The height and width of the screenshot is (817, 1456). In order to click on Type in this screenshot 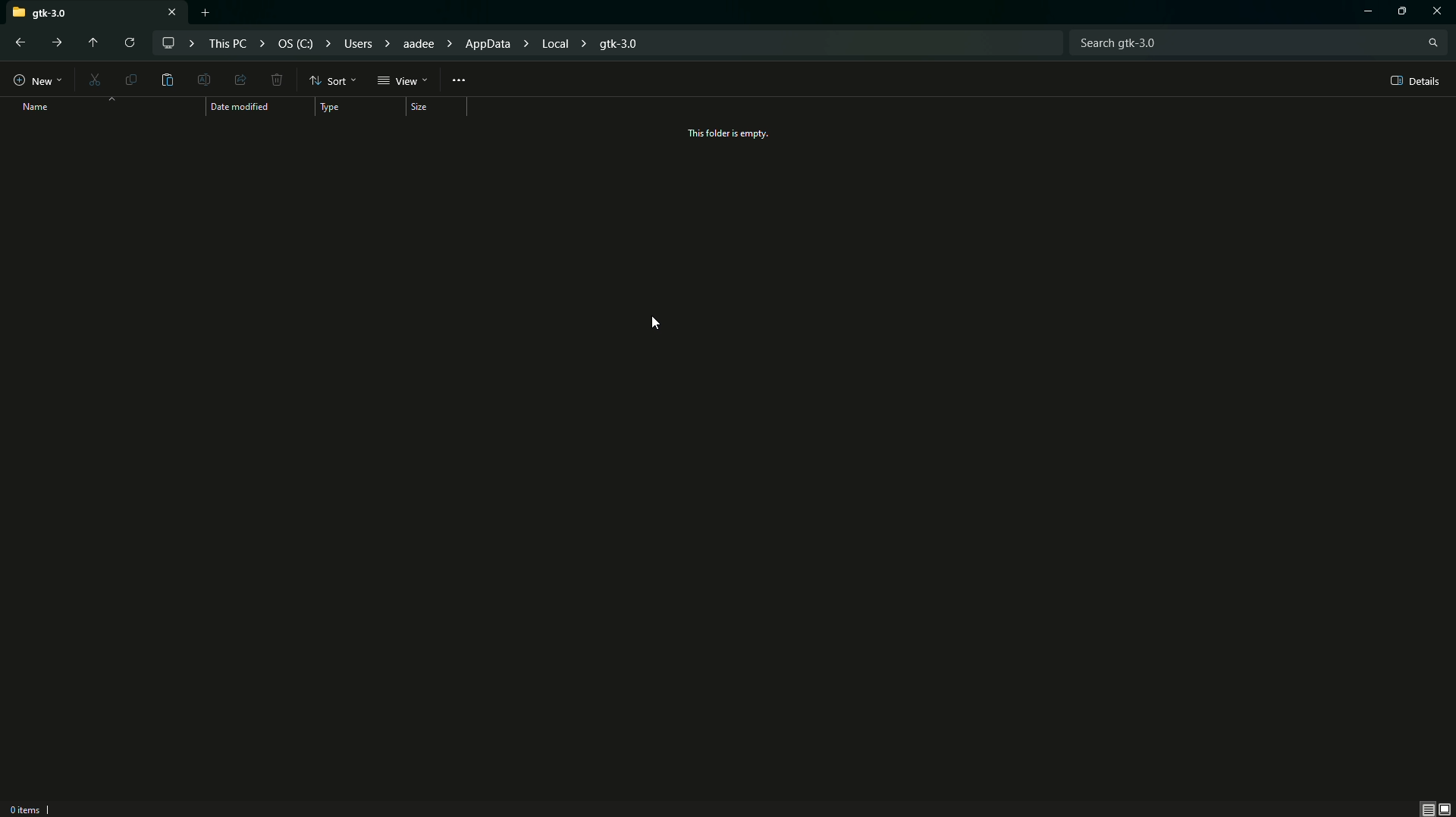, I will do `click(332, 108)`.